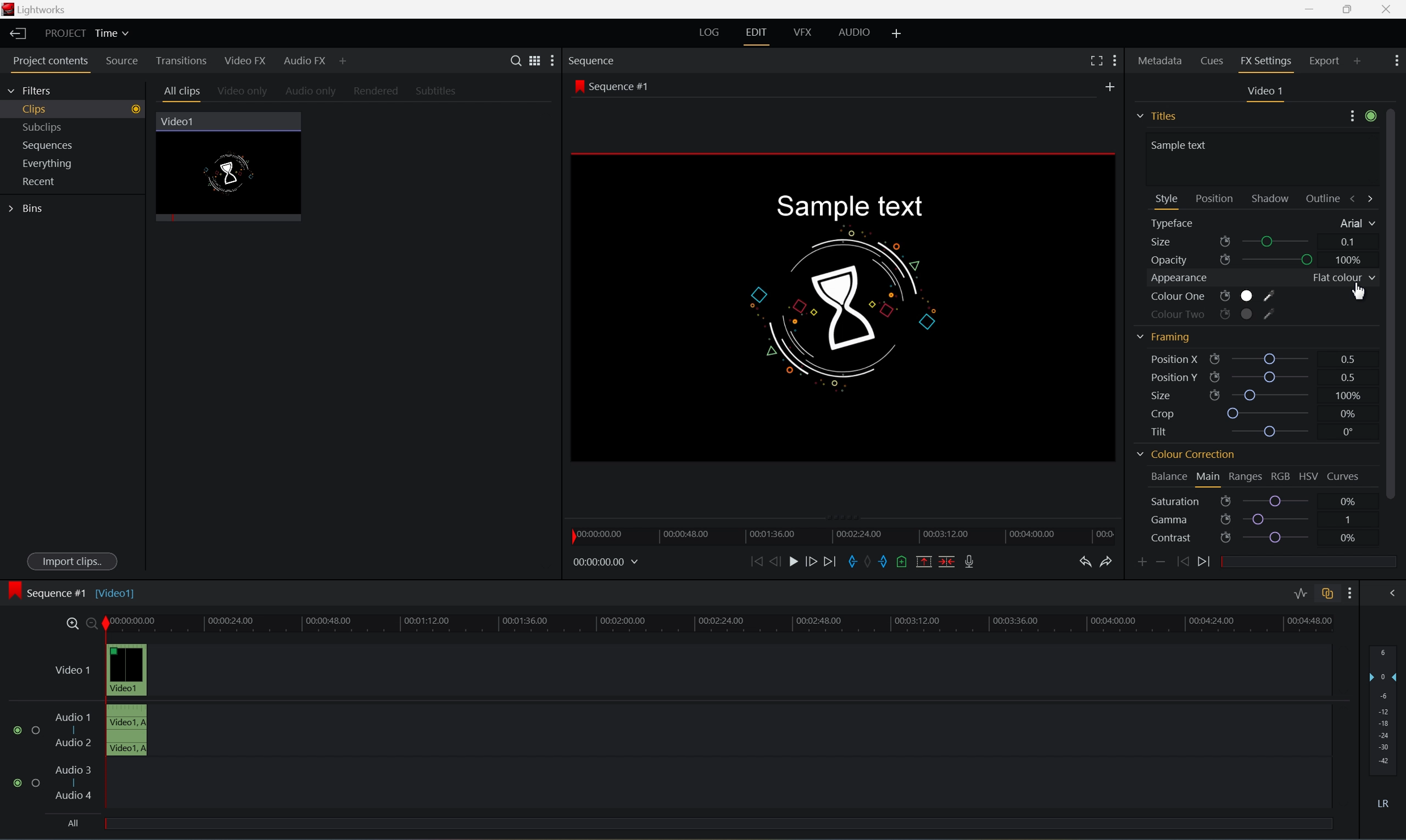 Image resolution: width=1406 pixels, height=840 pixels. I want to click on log, so click(707, 32).